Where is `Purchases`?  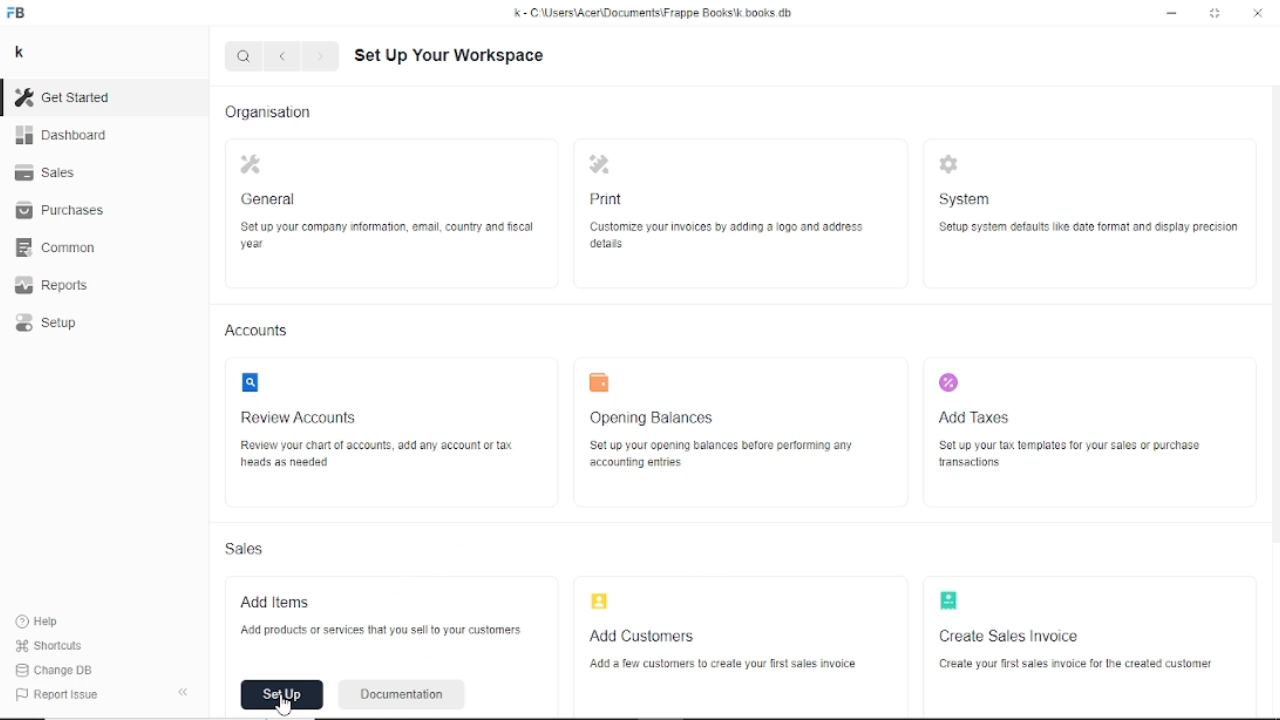
Purchases is located at coordinates (63, 213).